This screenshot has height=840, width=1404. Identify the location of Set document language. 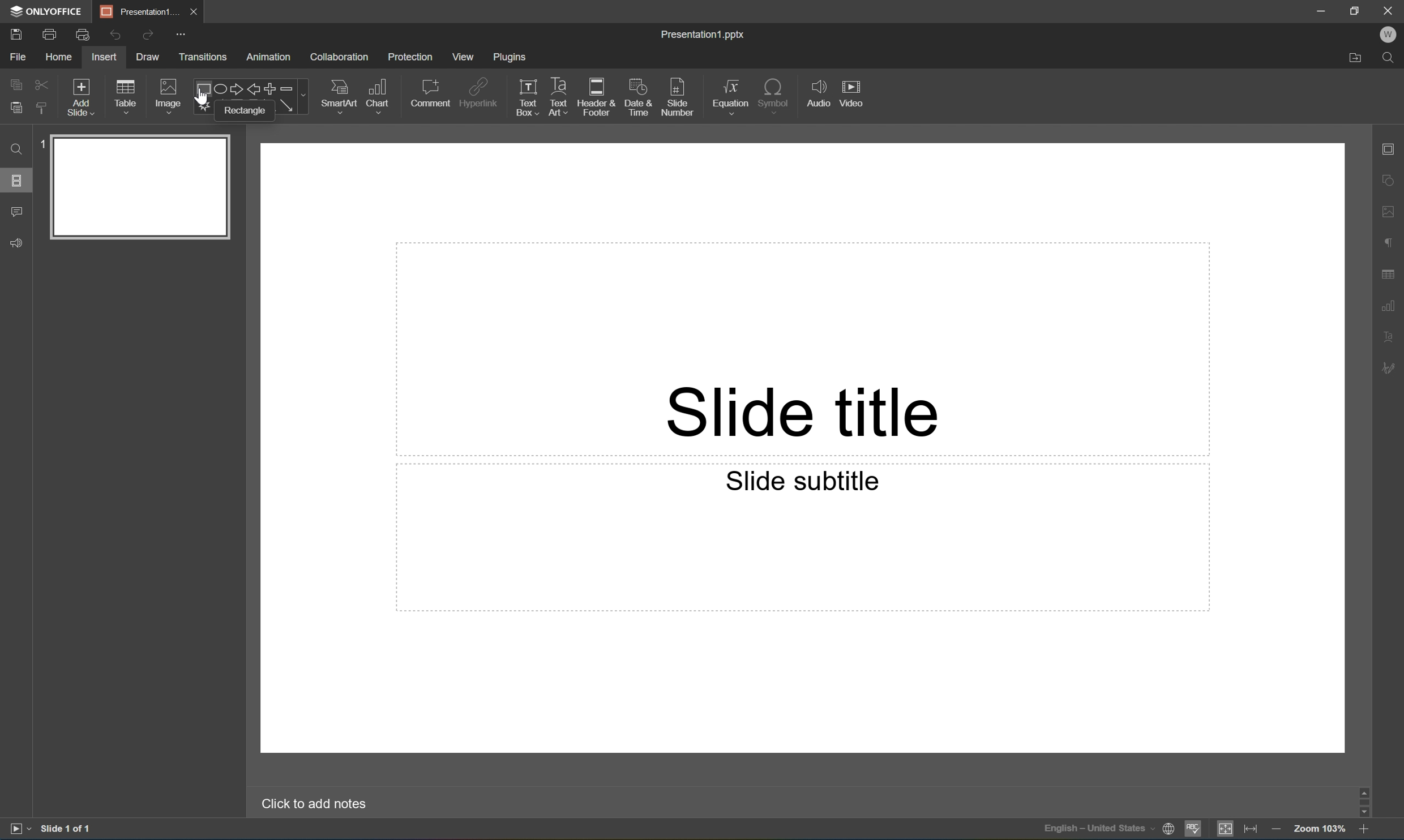
(1169, 830).